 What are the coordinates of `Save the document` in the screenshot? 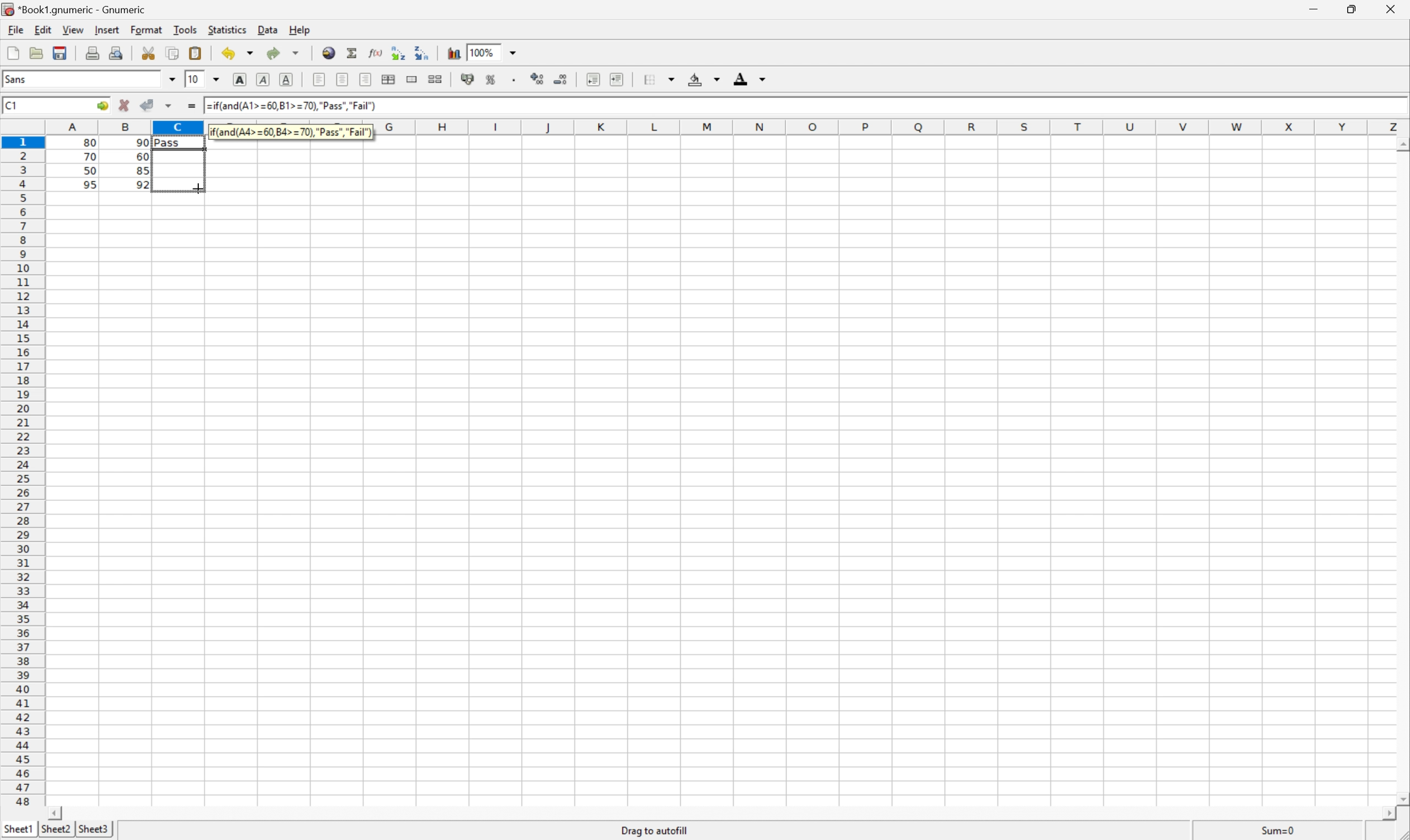 It's located at (36, 53).